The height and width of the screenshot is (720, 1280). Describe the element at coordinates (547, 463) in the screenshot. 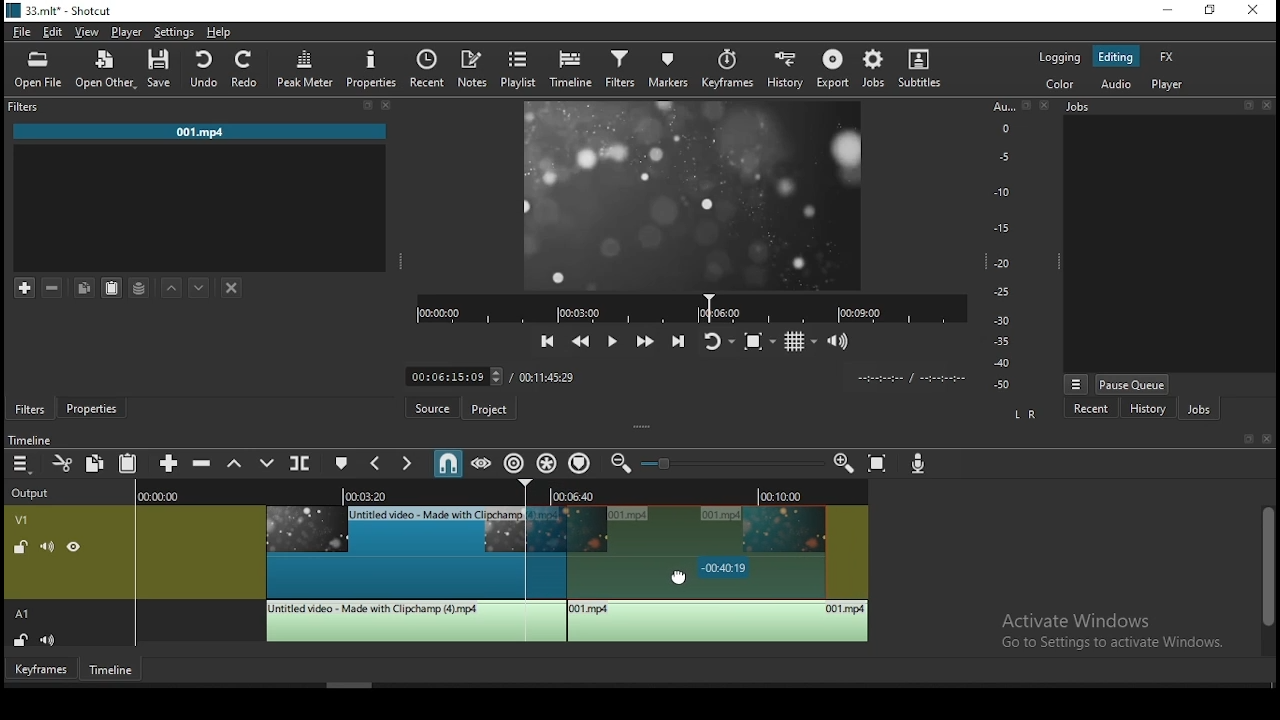

I see `ripple all tracks` at that location.